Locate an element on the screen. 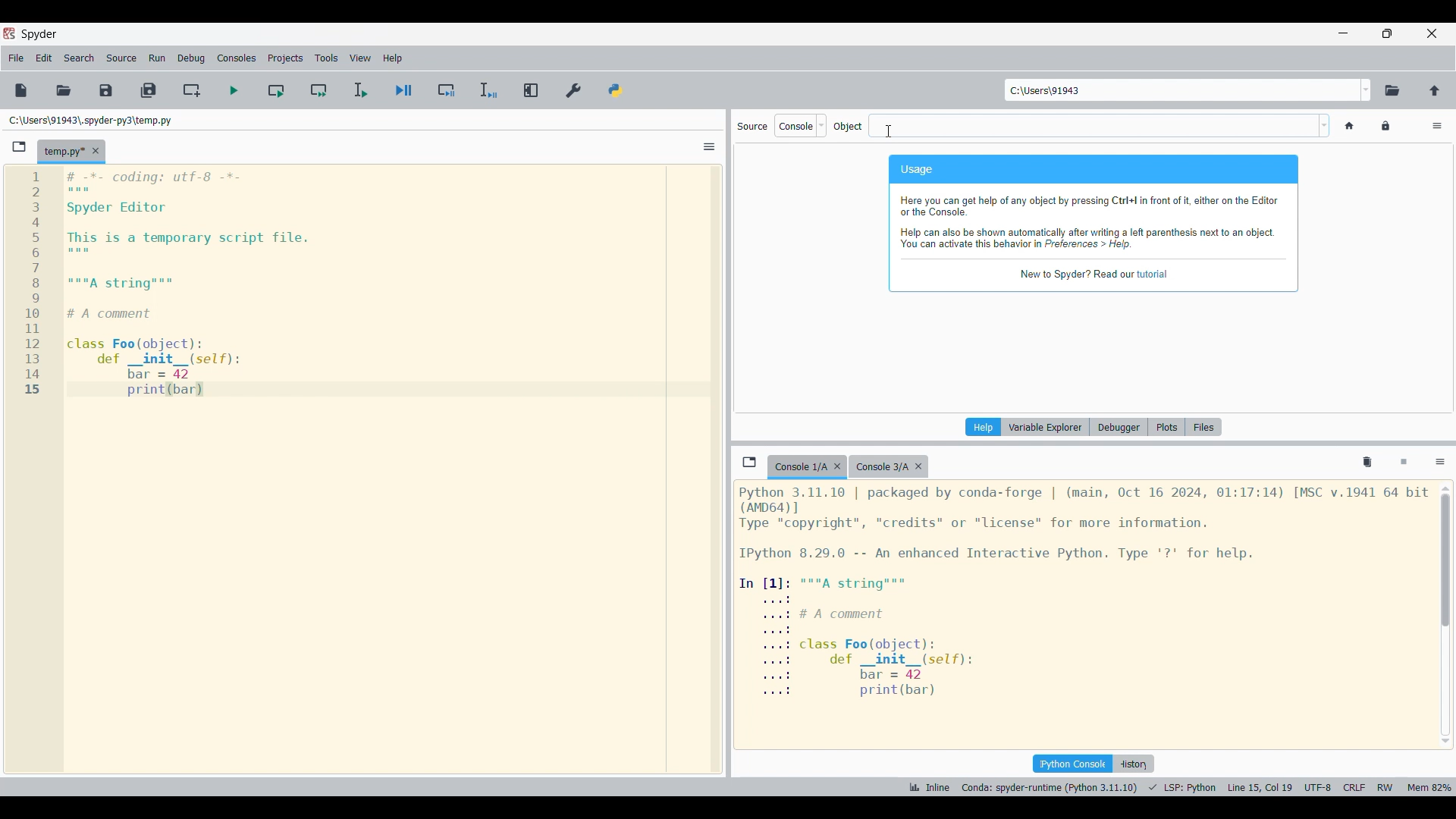 The height and width of the screenshot is (819, 1456). Source options is located at coordinates (801, 126).